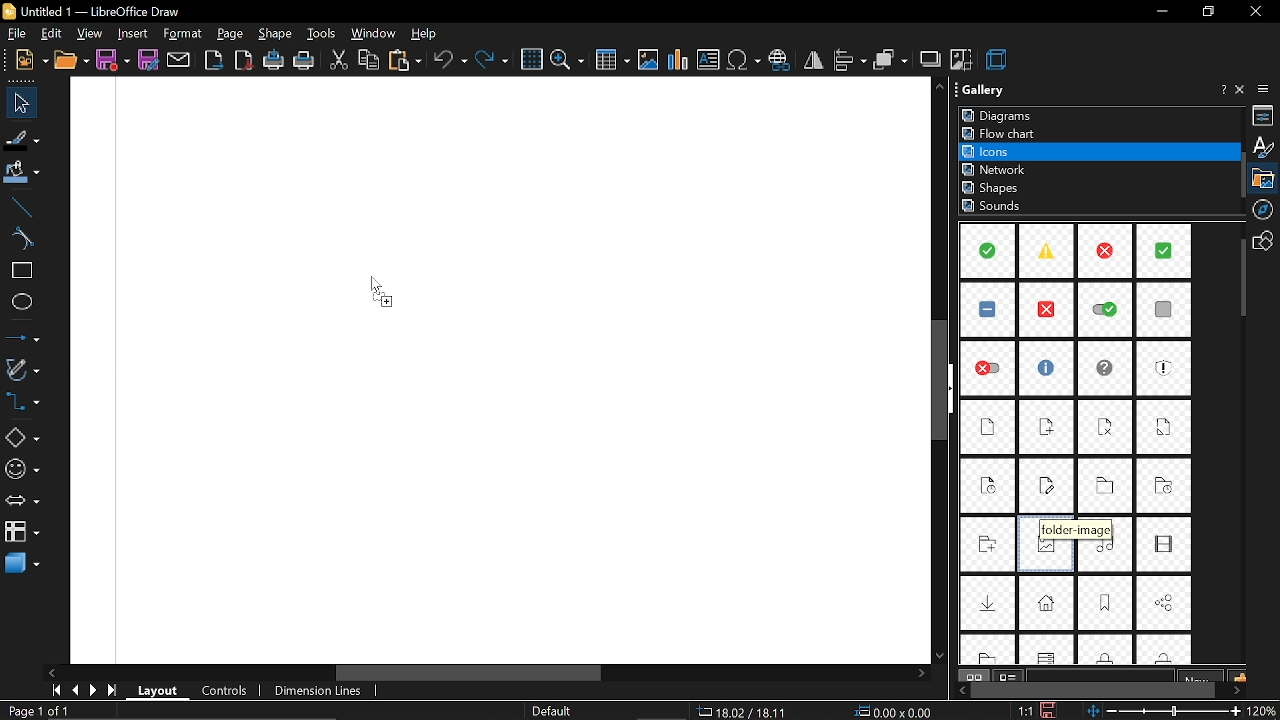  I want to click on shape, so click(275, 33).